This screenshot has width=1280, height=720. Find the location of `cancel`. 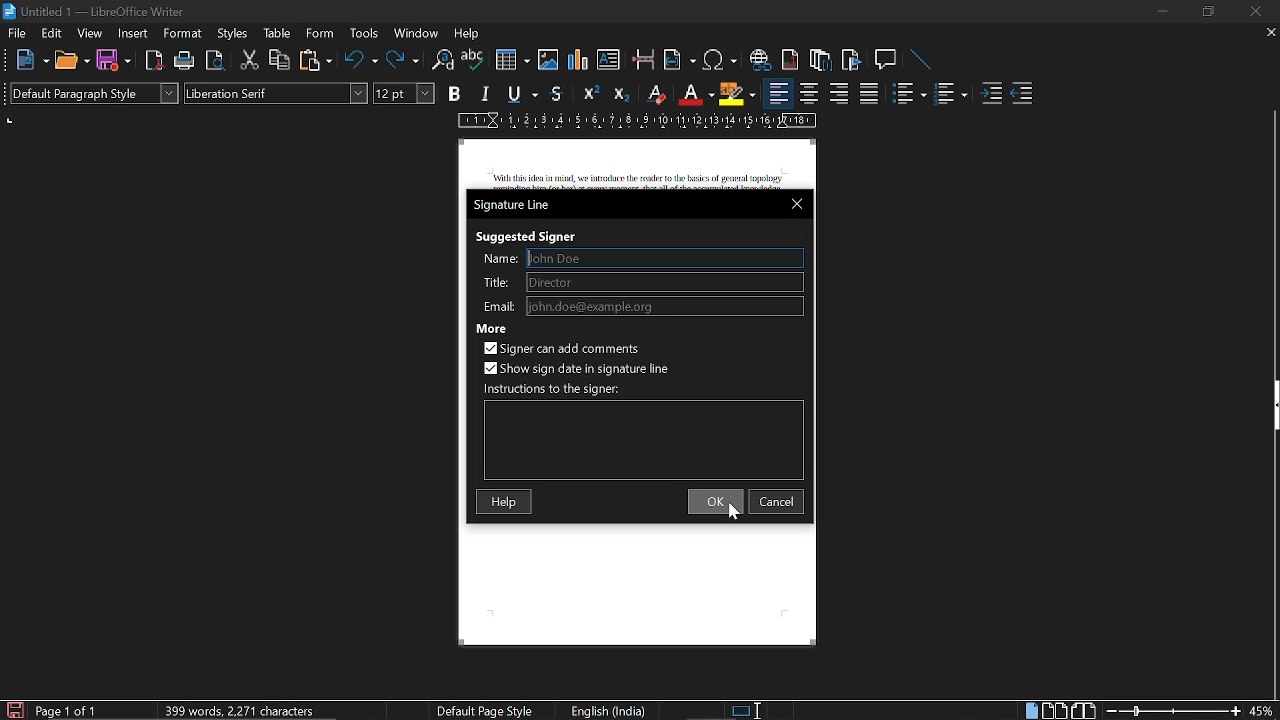

cancel is located at coordinates (779, 501).